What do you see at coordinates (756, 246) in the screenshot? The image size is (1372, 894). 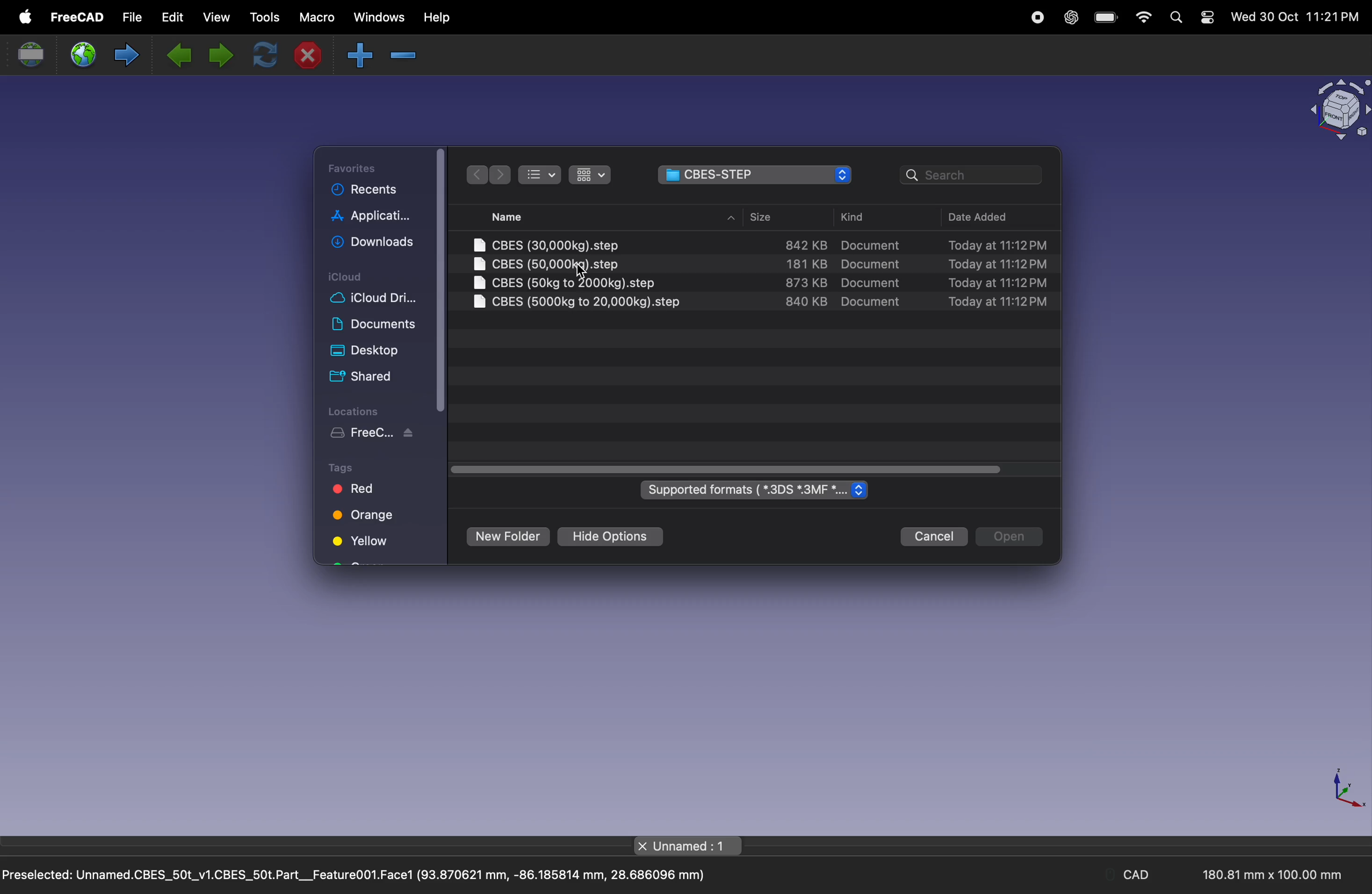 I see `step file 1` at bounding box center [756, 246].